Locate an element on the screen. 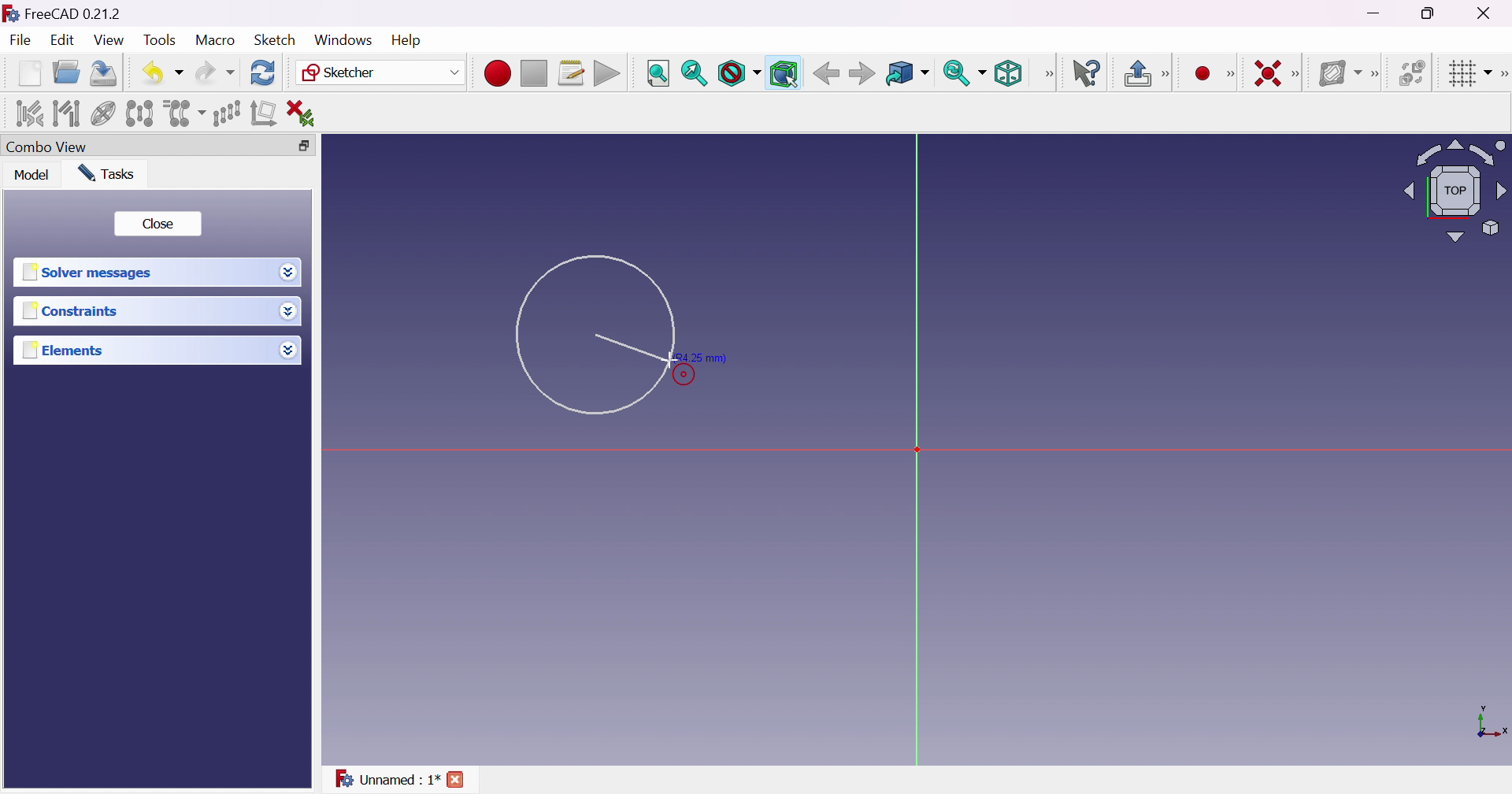  (R4.25mm) is located at coordinates (700, 358).